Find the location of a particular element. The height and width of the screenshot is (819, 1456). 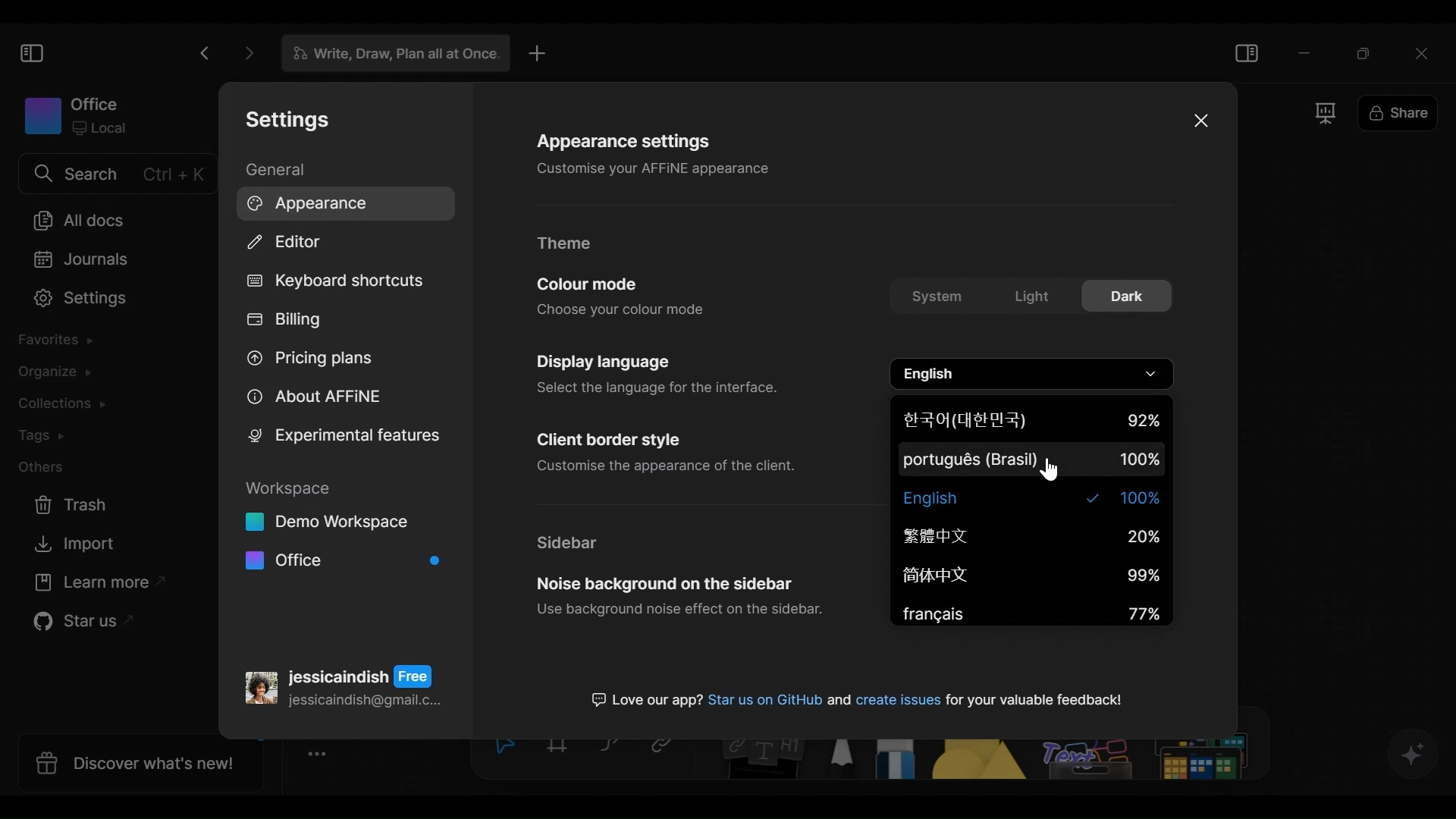

Tab is located at coordinates (389, 54).